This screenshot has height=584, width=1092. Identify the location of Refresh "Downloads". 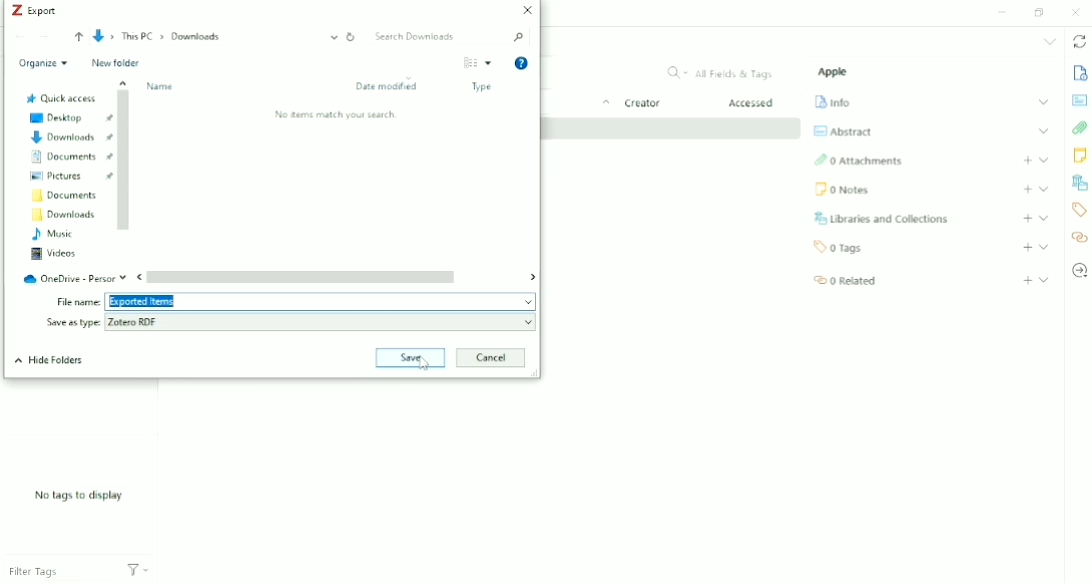
(352, 36).